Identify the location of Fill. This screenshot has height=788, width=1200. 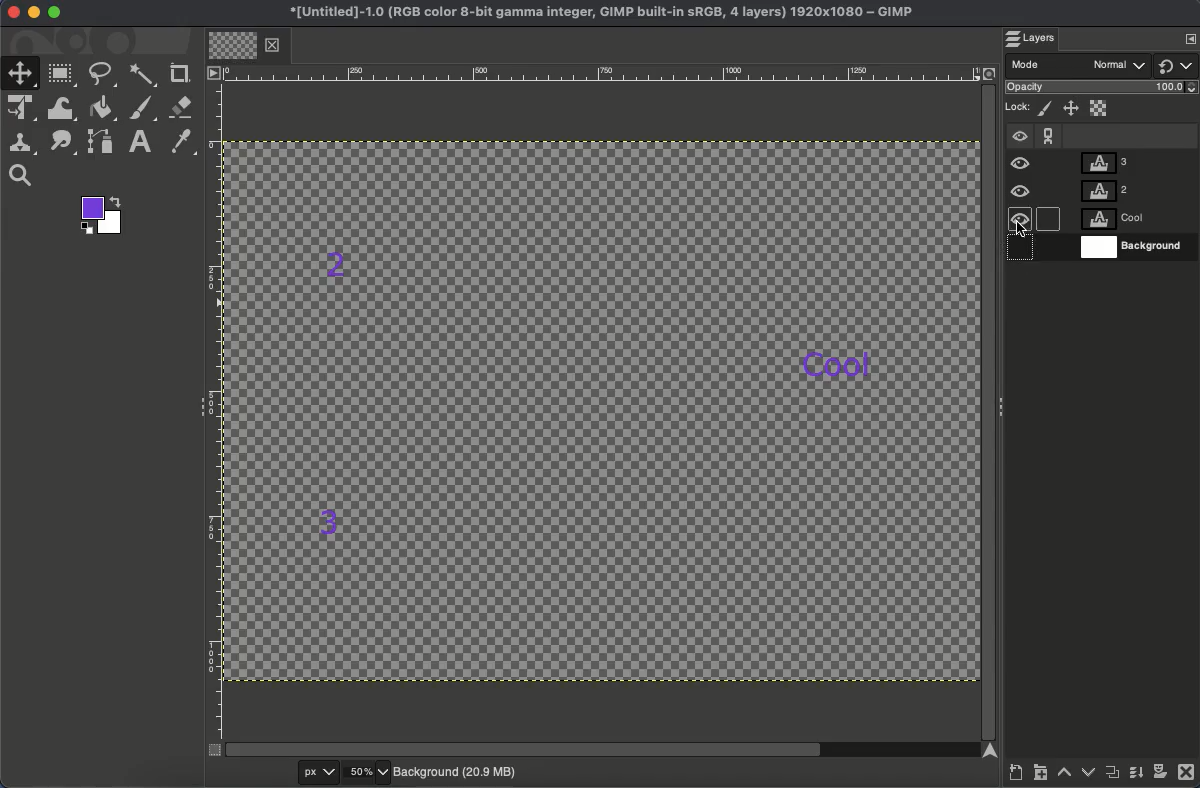
(103, 108).